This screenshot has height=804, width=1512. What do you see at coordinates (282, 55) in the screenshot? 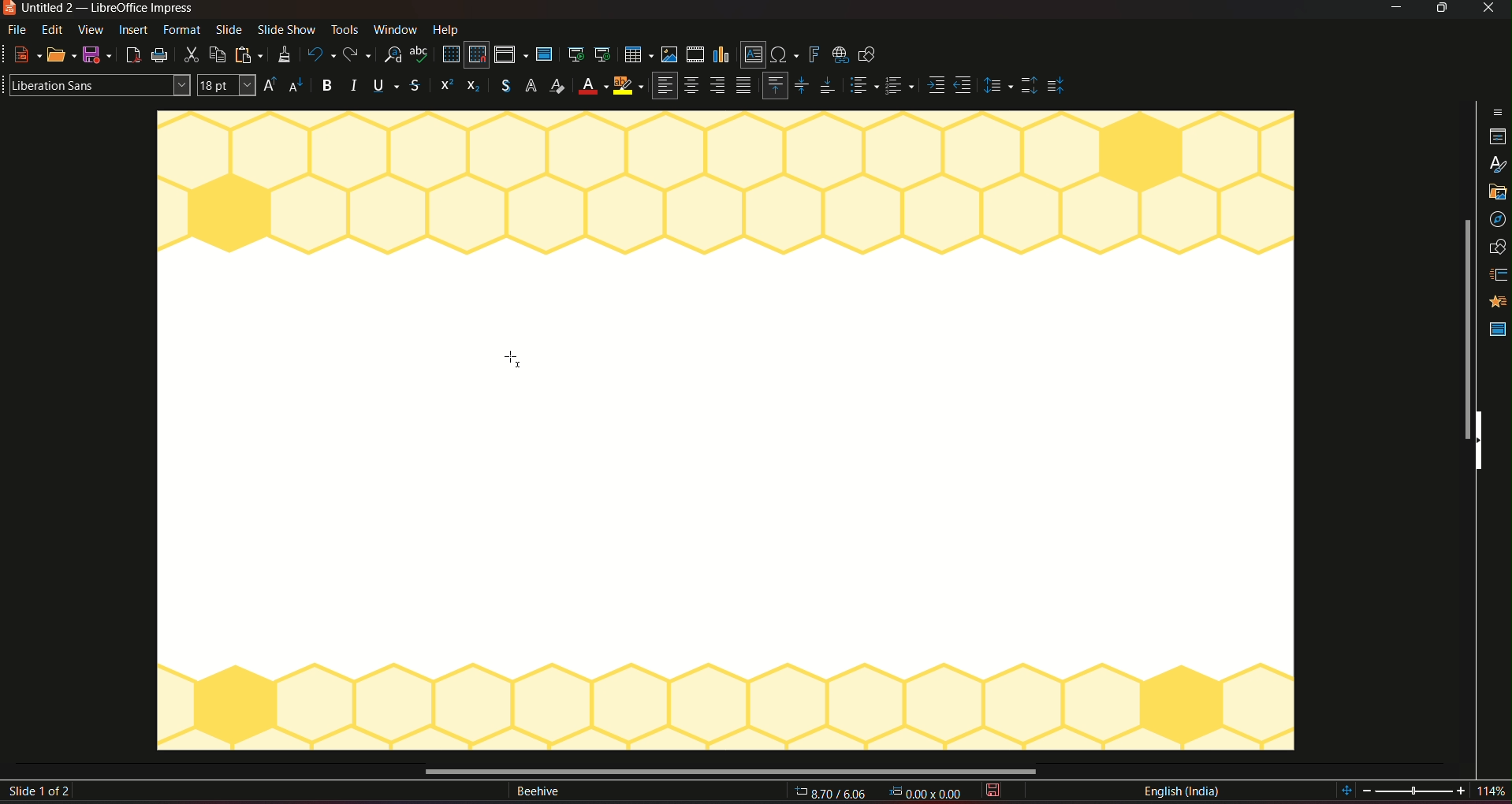
I see `clone formatting` at bounding box center [282, 55].